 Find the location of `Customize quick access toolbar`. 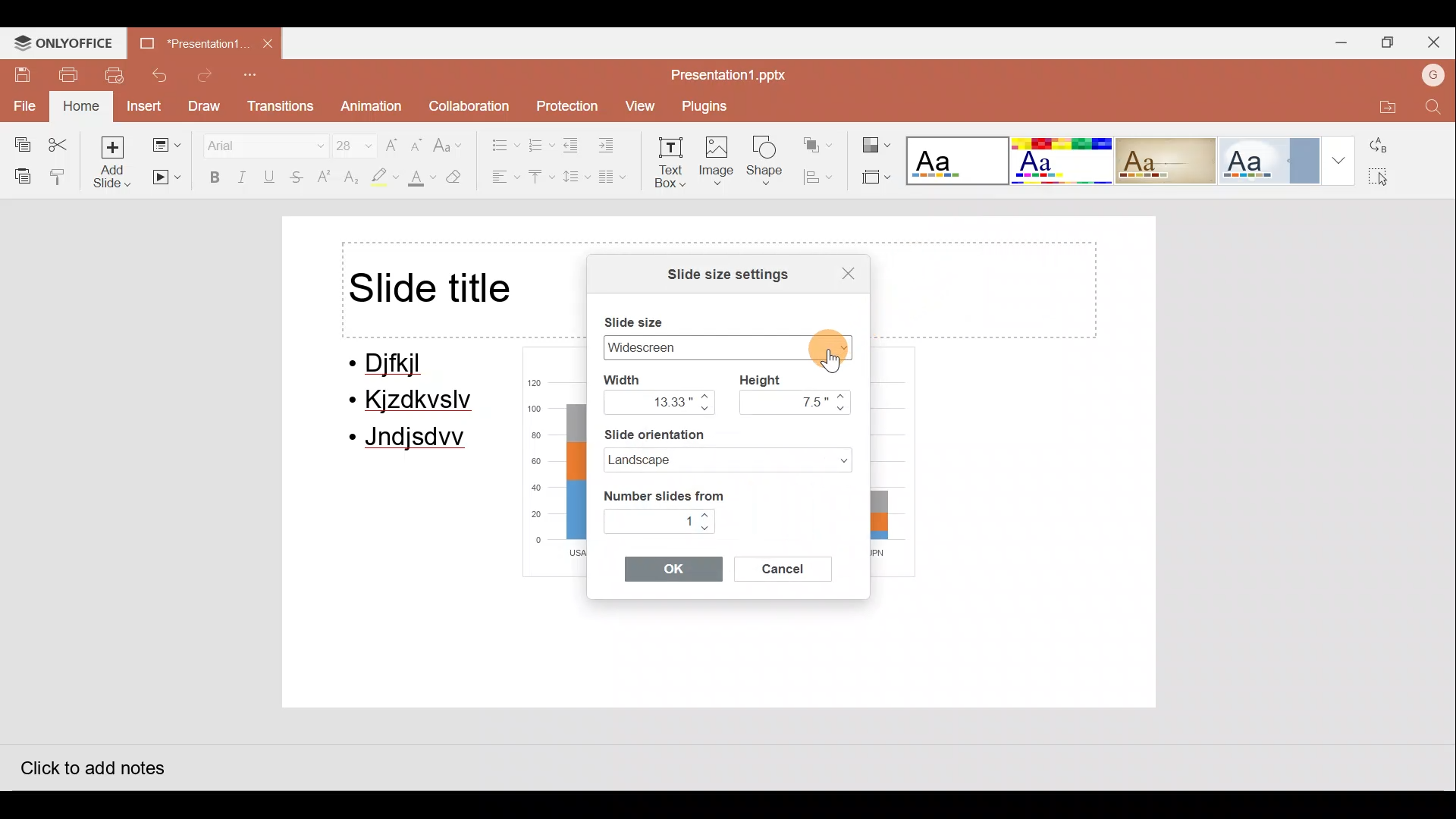

Customize quick access toolbar is located at coordinates (254, 76).